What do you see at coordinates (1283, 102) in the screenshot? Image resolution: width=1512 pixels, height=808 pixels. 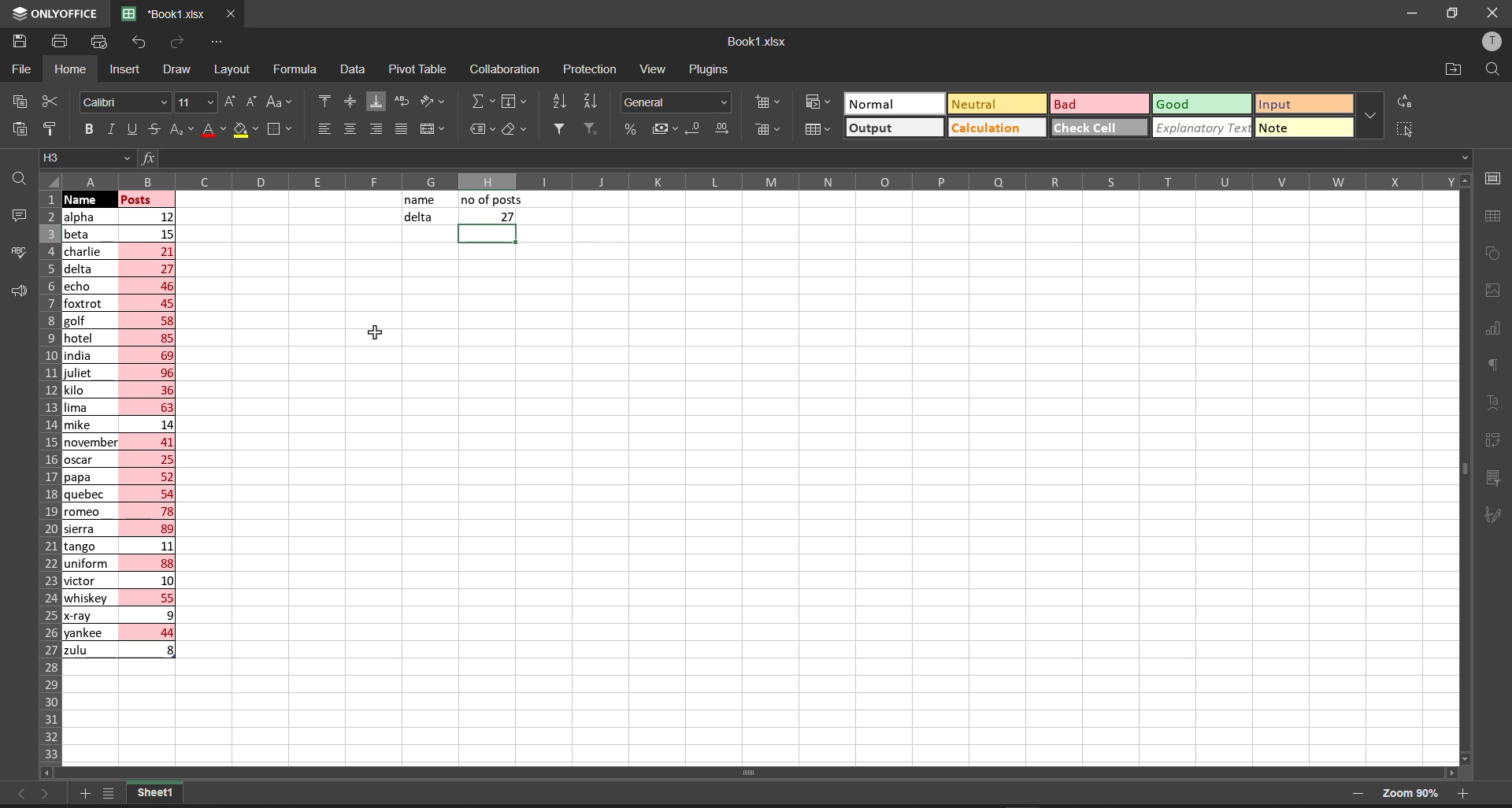 I see `input` at bounding box center [1283, 102].